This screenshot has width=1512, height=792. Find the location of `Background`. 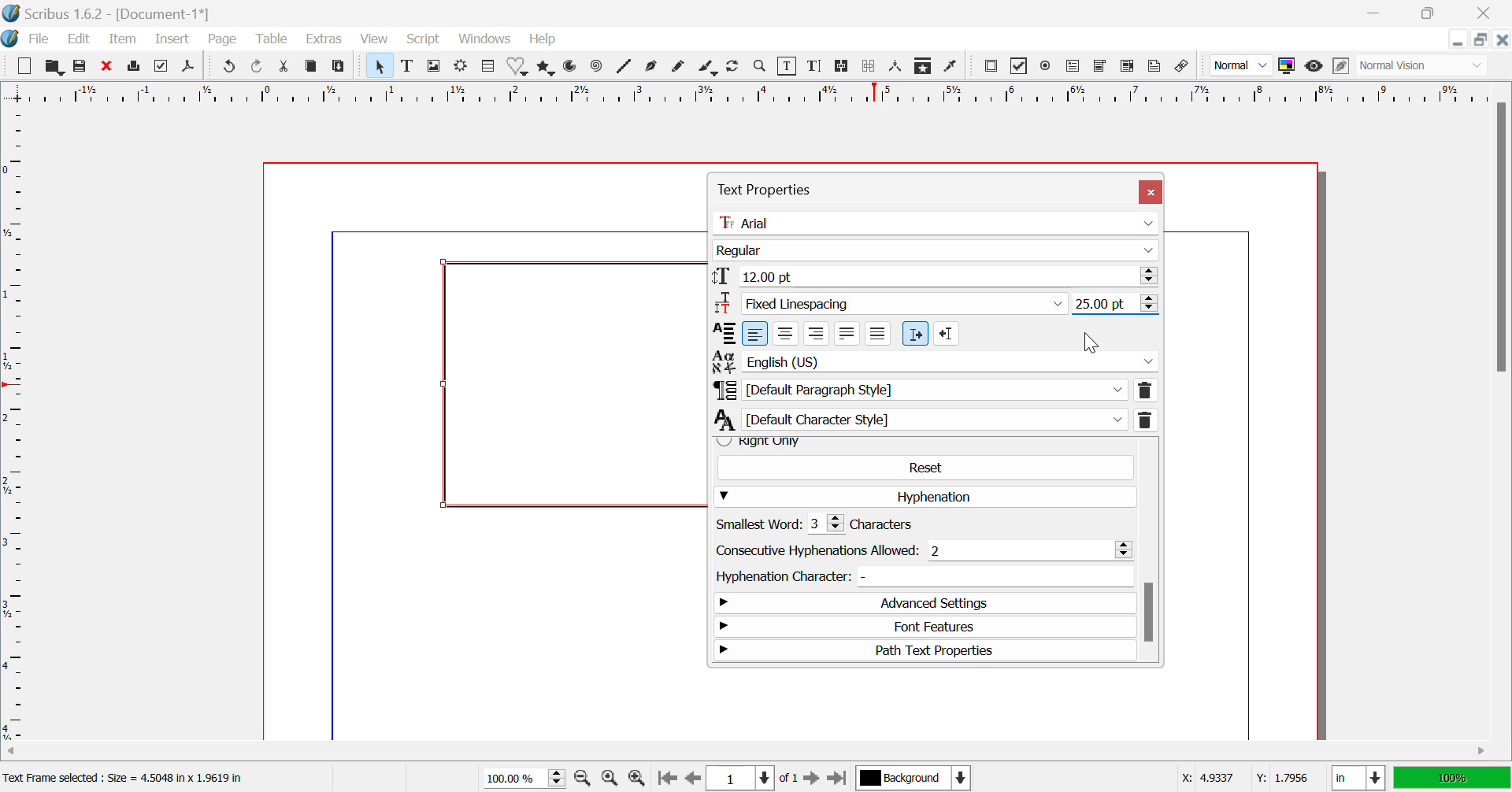

Background is located at coordinates (912, 777).